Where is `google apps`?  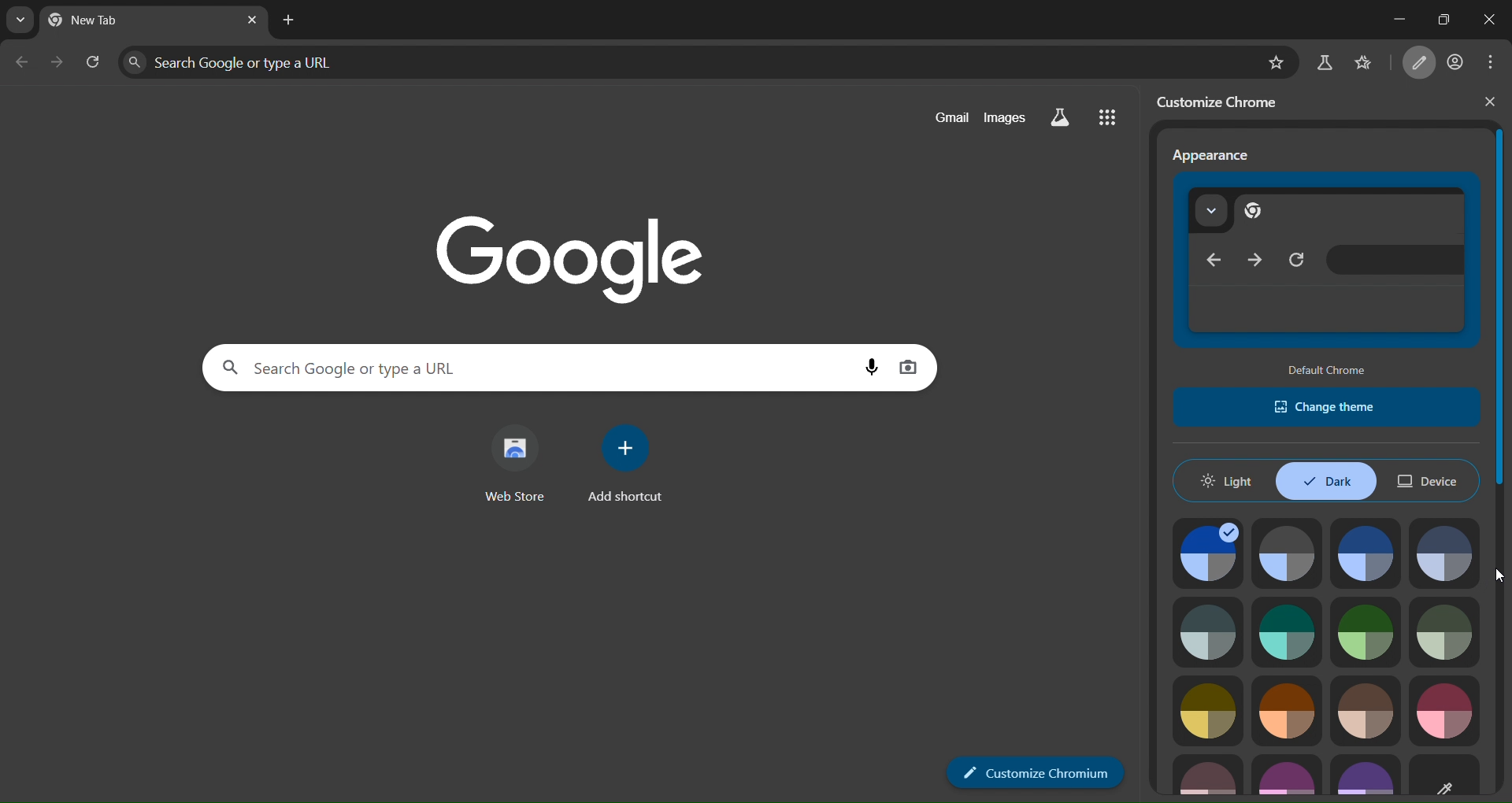 google apps is located at coordinates (1115, 120).